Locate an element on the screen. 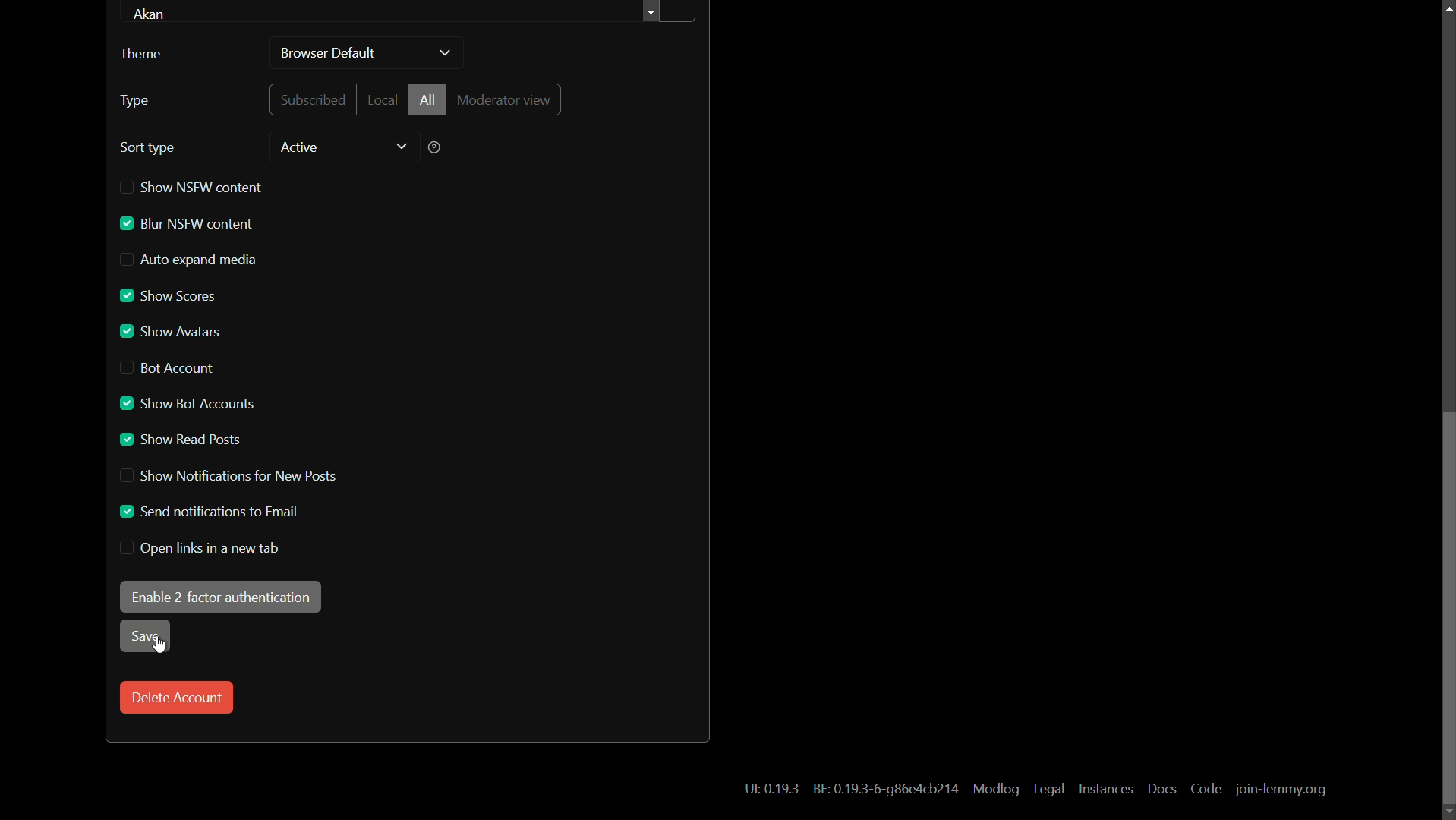 This screenshot has width=1456, height=820. open links in a new tab is located at coordinates (200, 549).